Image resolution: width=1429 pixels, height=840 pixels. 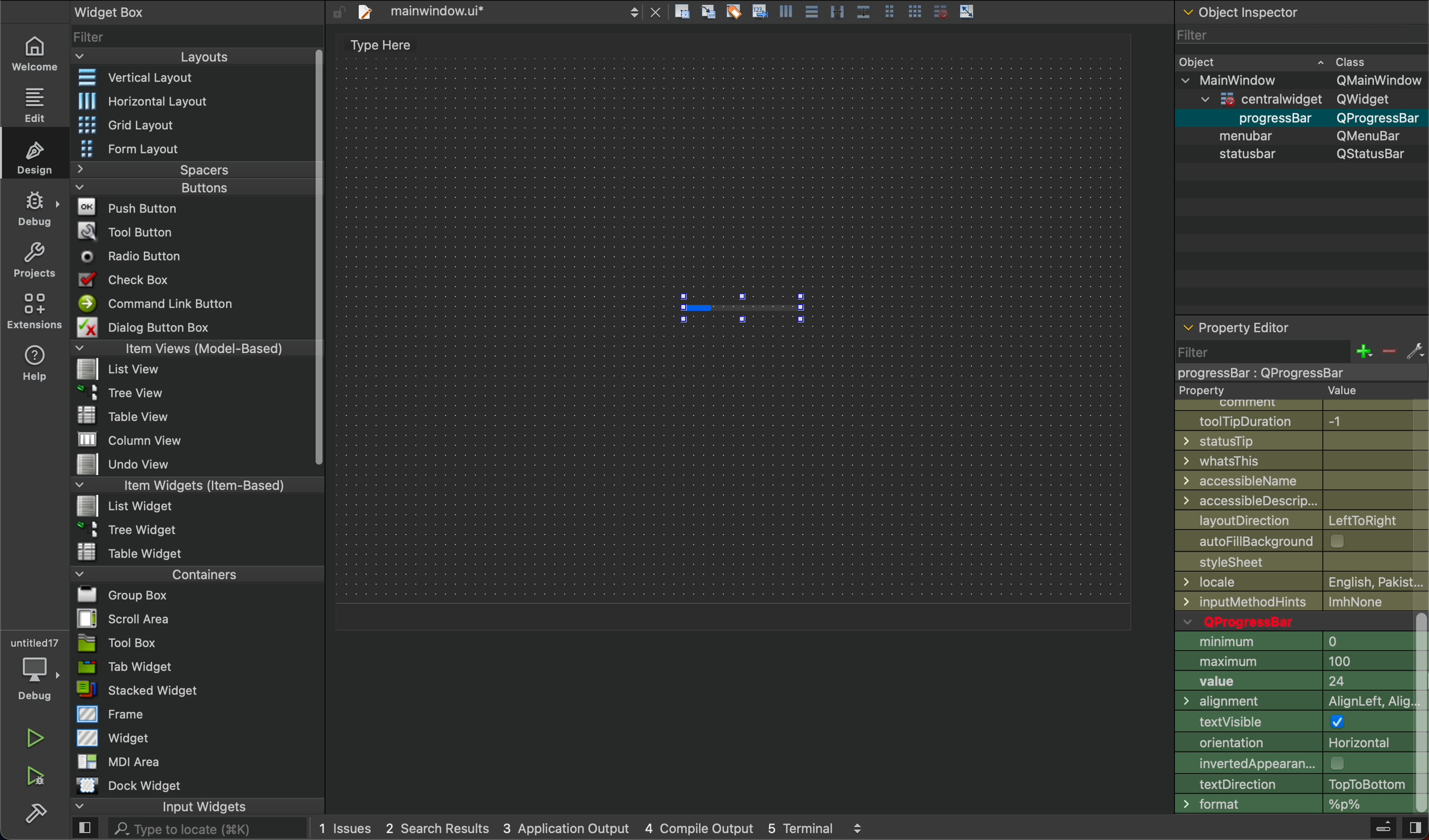 I want to click on Dock WIdget, so click(x=129, y=786).